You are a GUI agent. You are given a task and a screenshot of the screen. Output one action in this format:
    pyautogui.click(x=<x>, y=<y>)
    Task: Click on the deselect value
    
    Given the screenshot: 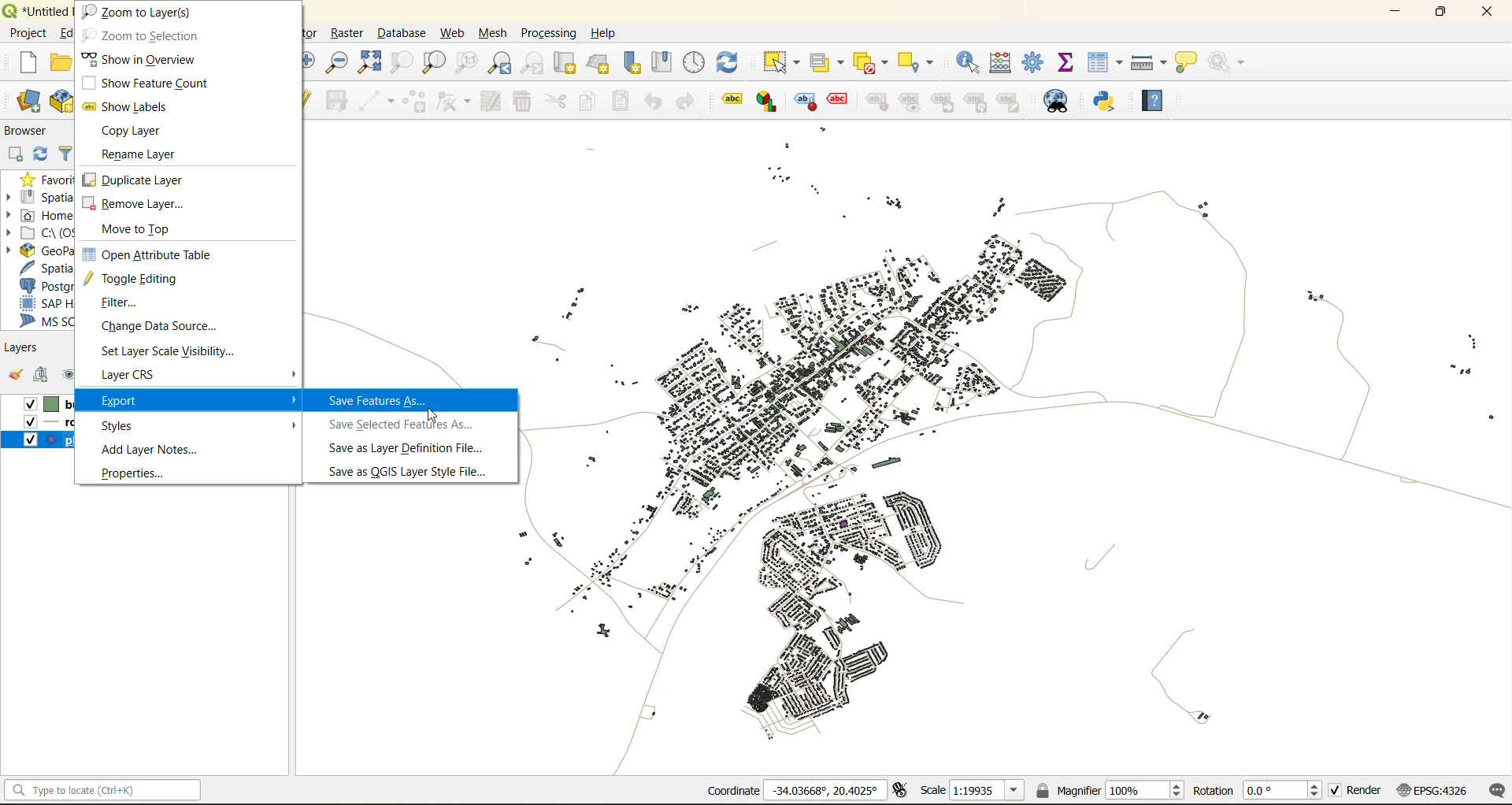 What is the action you would take?
    pyautogui.click(x=869, y=61)
    